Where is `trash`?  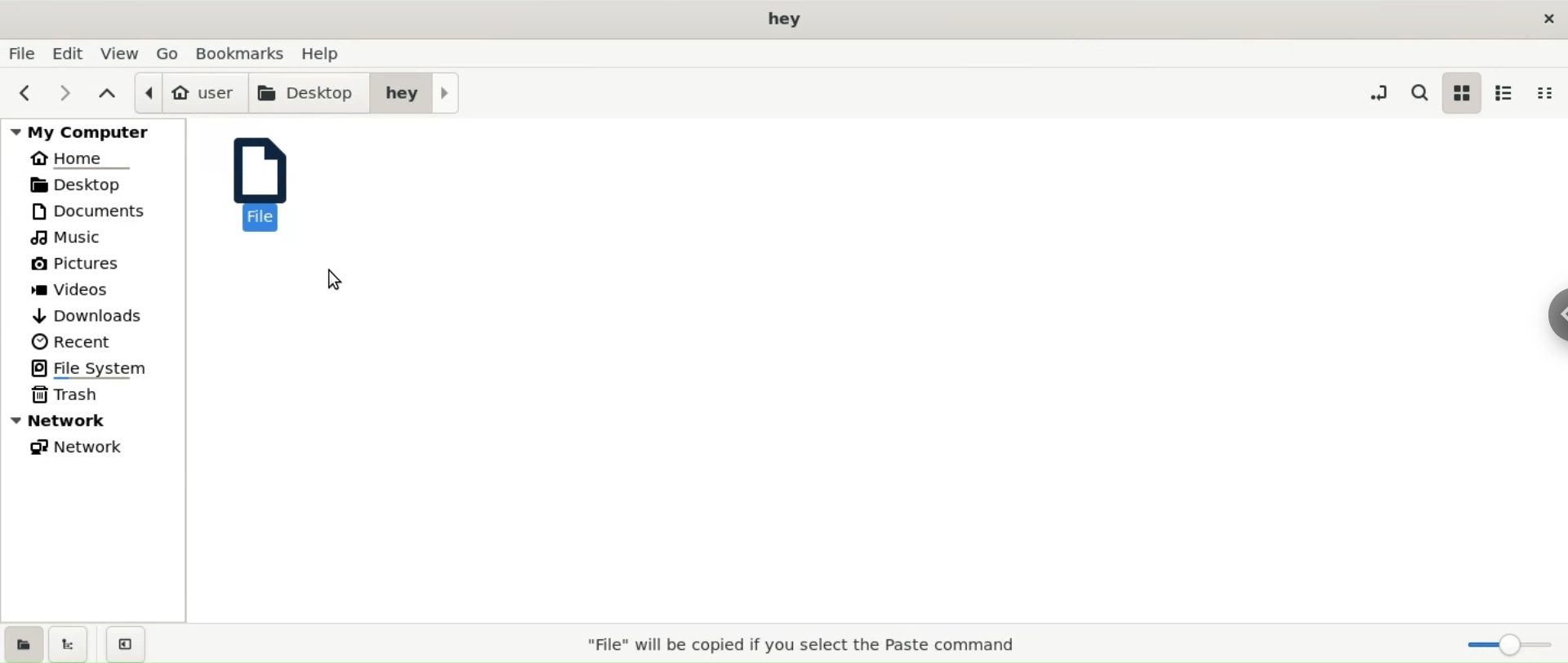
trash is located at coordinates (94, 396).